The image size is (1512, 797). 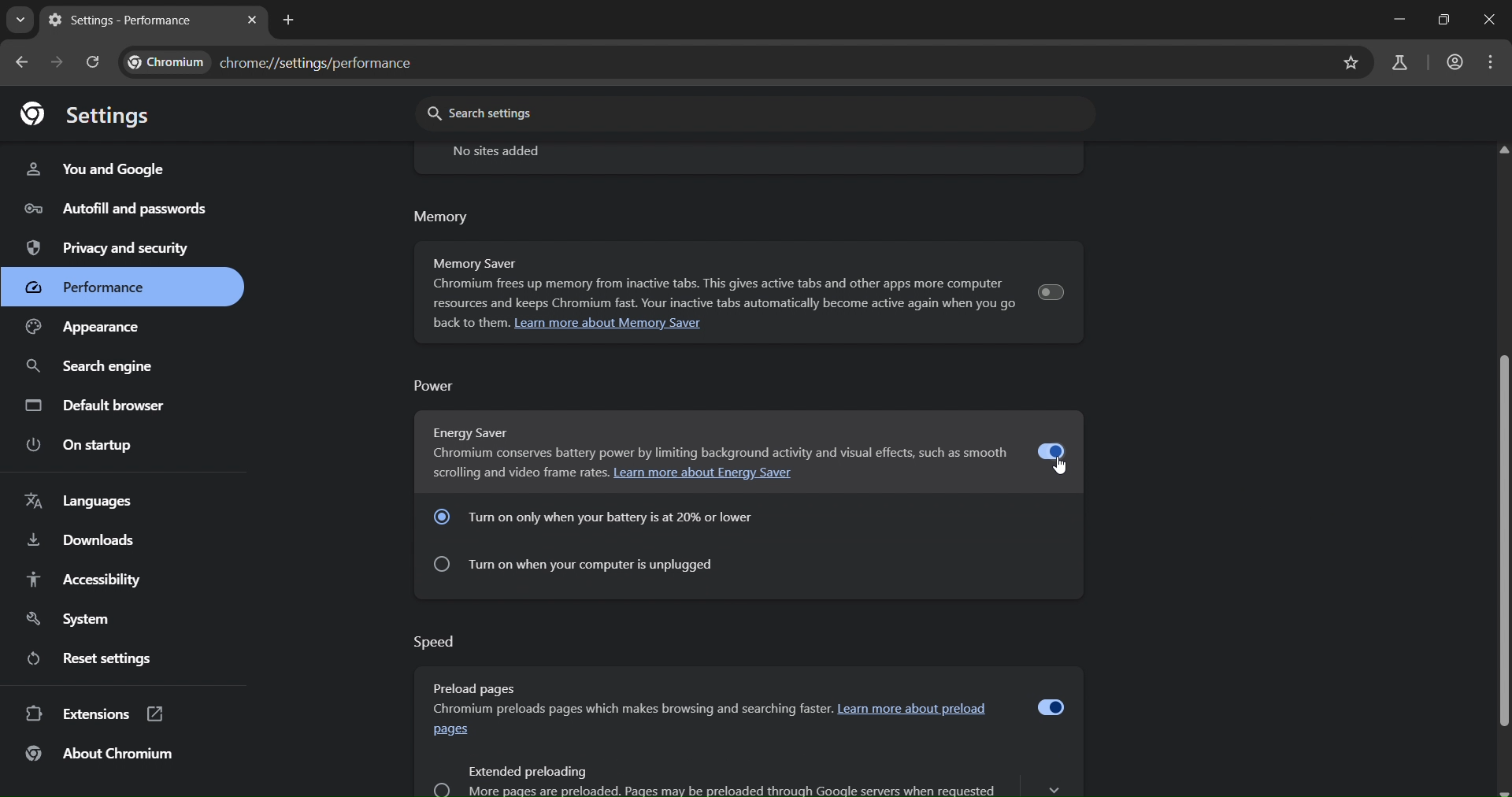 What do you see at coordinates (1486, 18) in the screenshot?
I see `close` at bounding box center [1486, 18].